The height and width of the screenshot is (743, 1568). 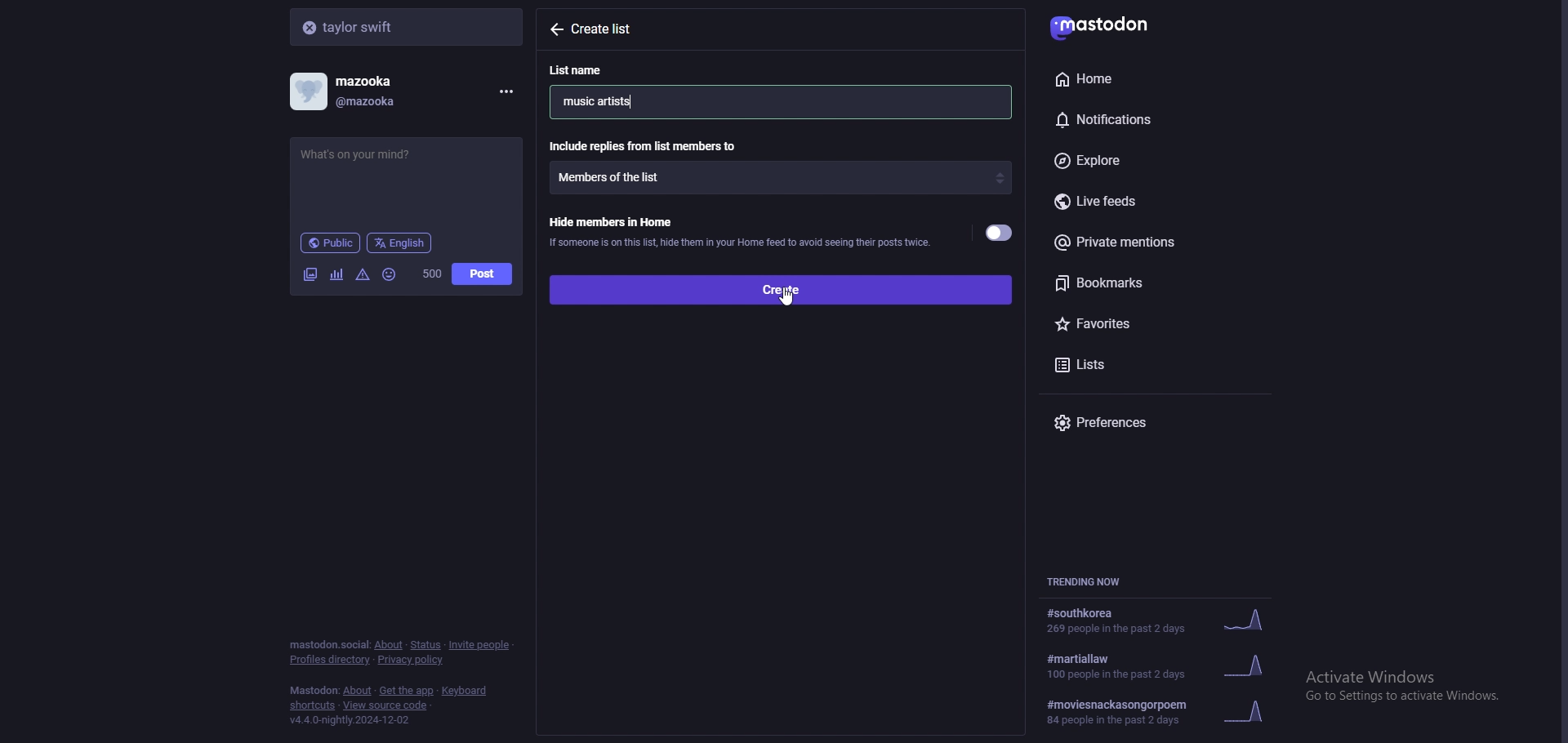 What do you see at coordinates (1160, 202) in the screenshot?
I see `live feeds` at bounding box center [1160, 202].